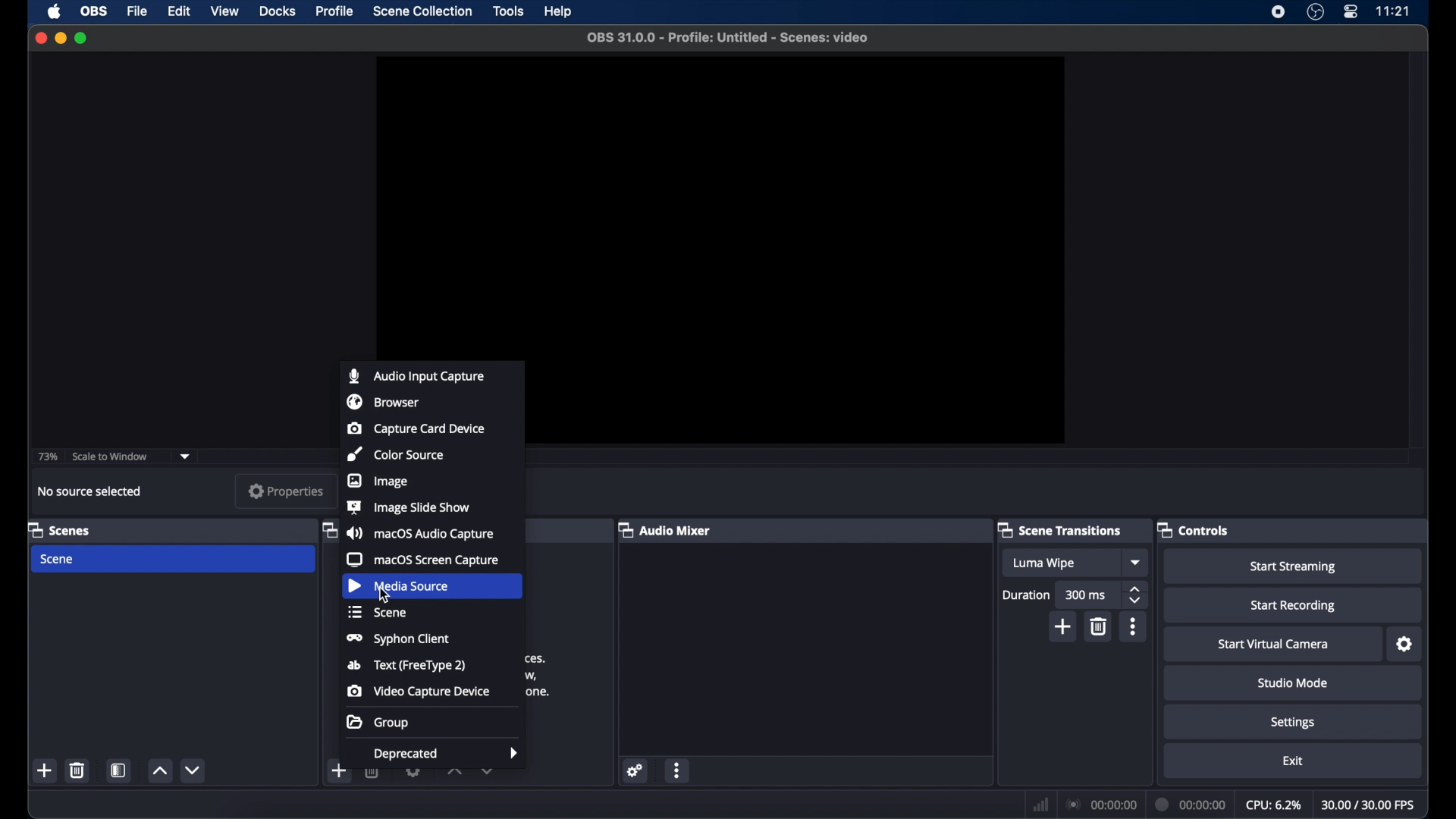  Describe the element at coordinates (378, 723) in the screenshot. I see `group` at that location.